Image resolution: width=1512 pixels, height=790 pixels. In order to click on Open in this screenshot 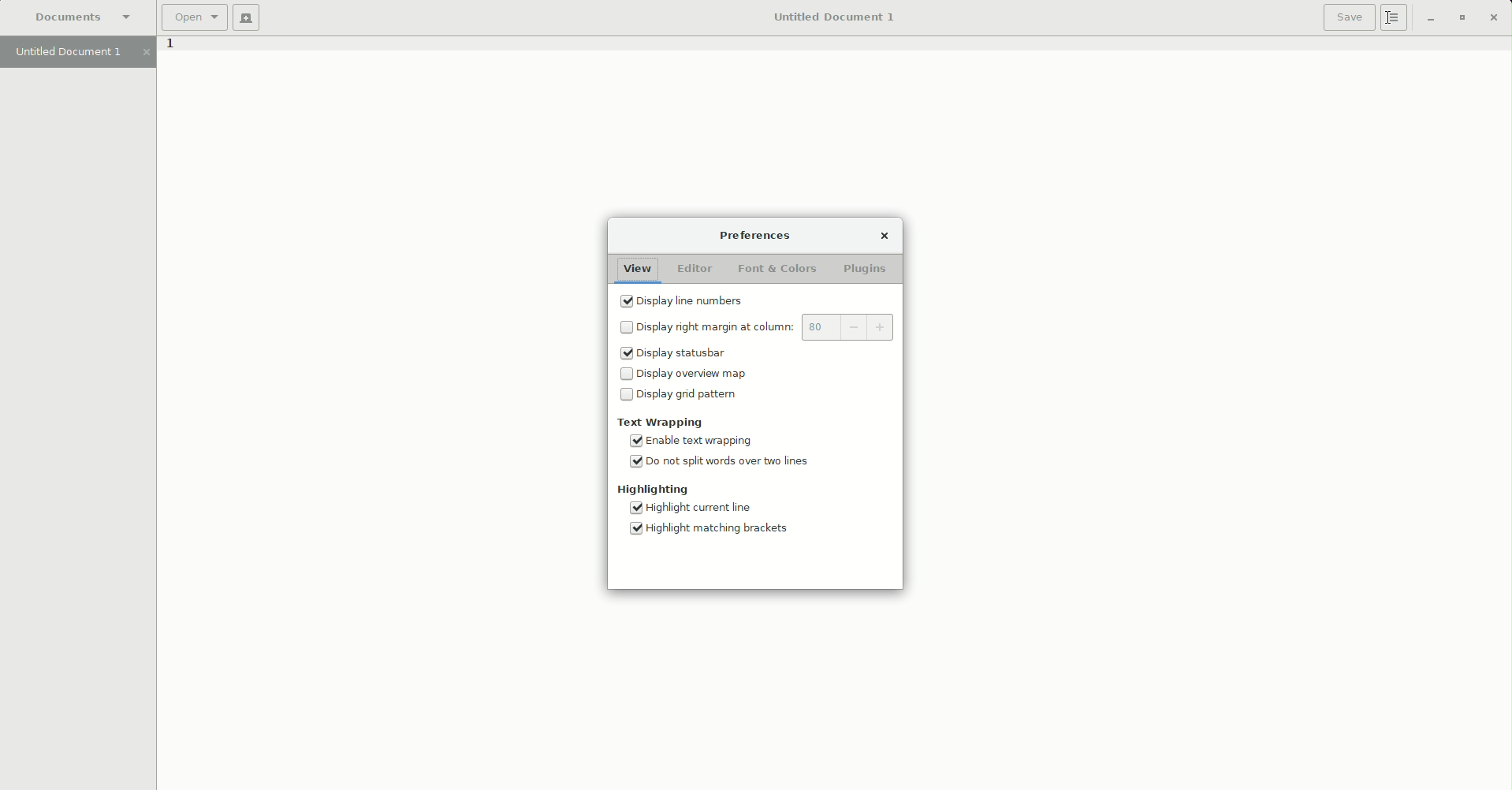, I will do `click(193, 17)`.